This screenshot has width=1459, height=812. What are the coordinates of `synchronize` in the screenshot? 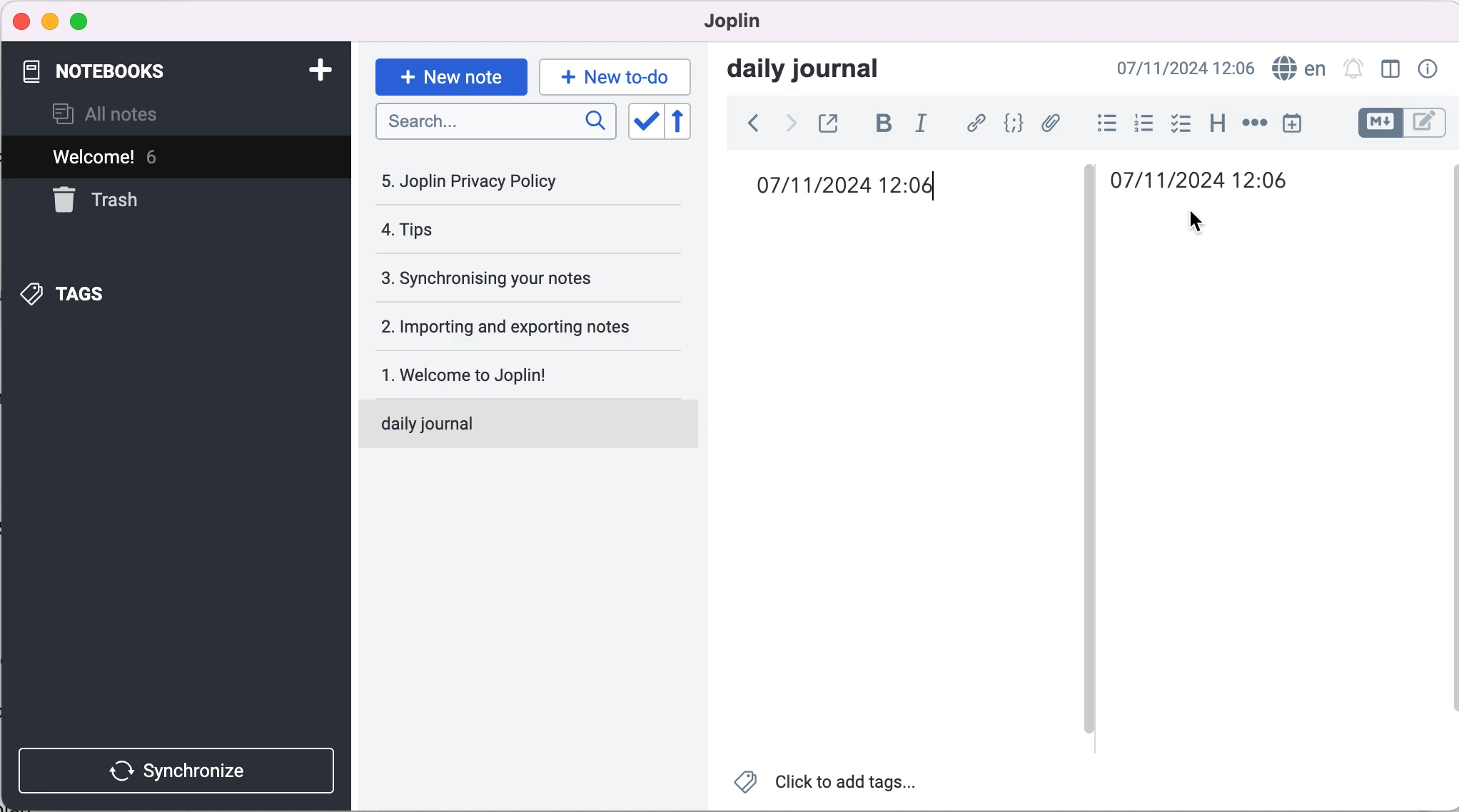 It's located at (180, 766).